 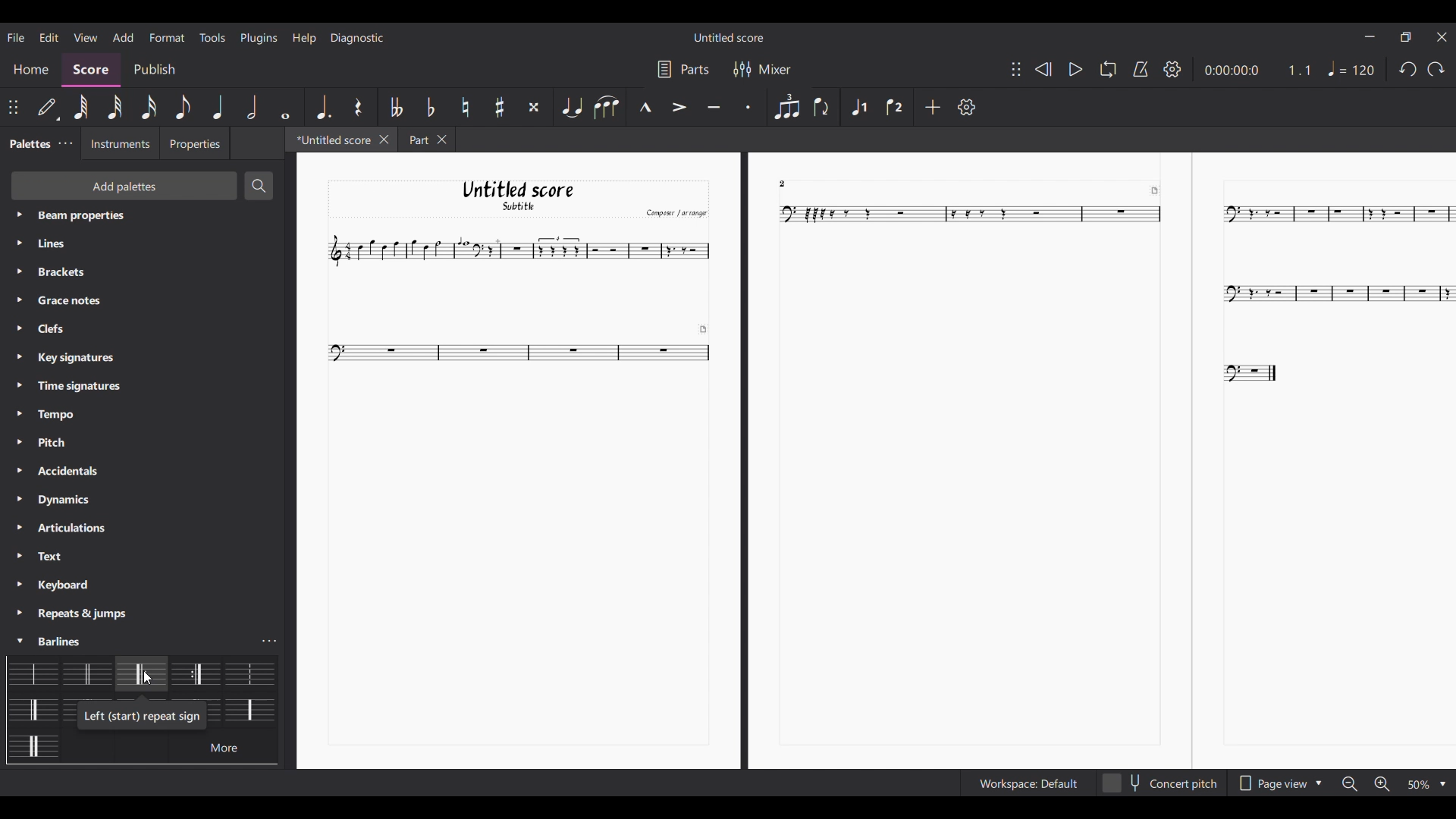 I want to click on Toggle natural, so click(x=466, y=107).